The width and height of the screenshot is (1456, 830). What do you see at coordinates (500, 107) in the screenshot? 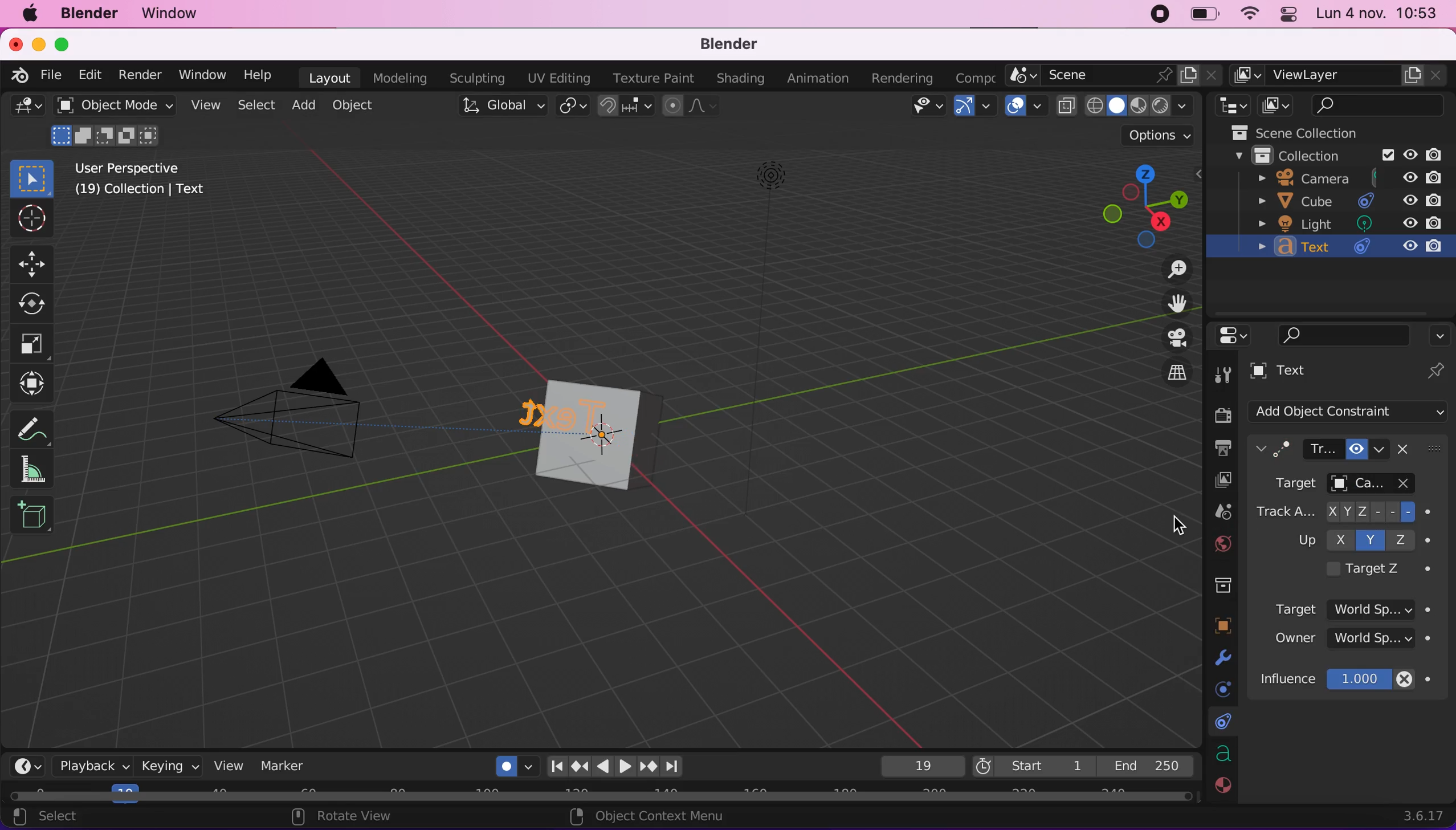
I see `global` at bounding box center [500, 107].